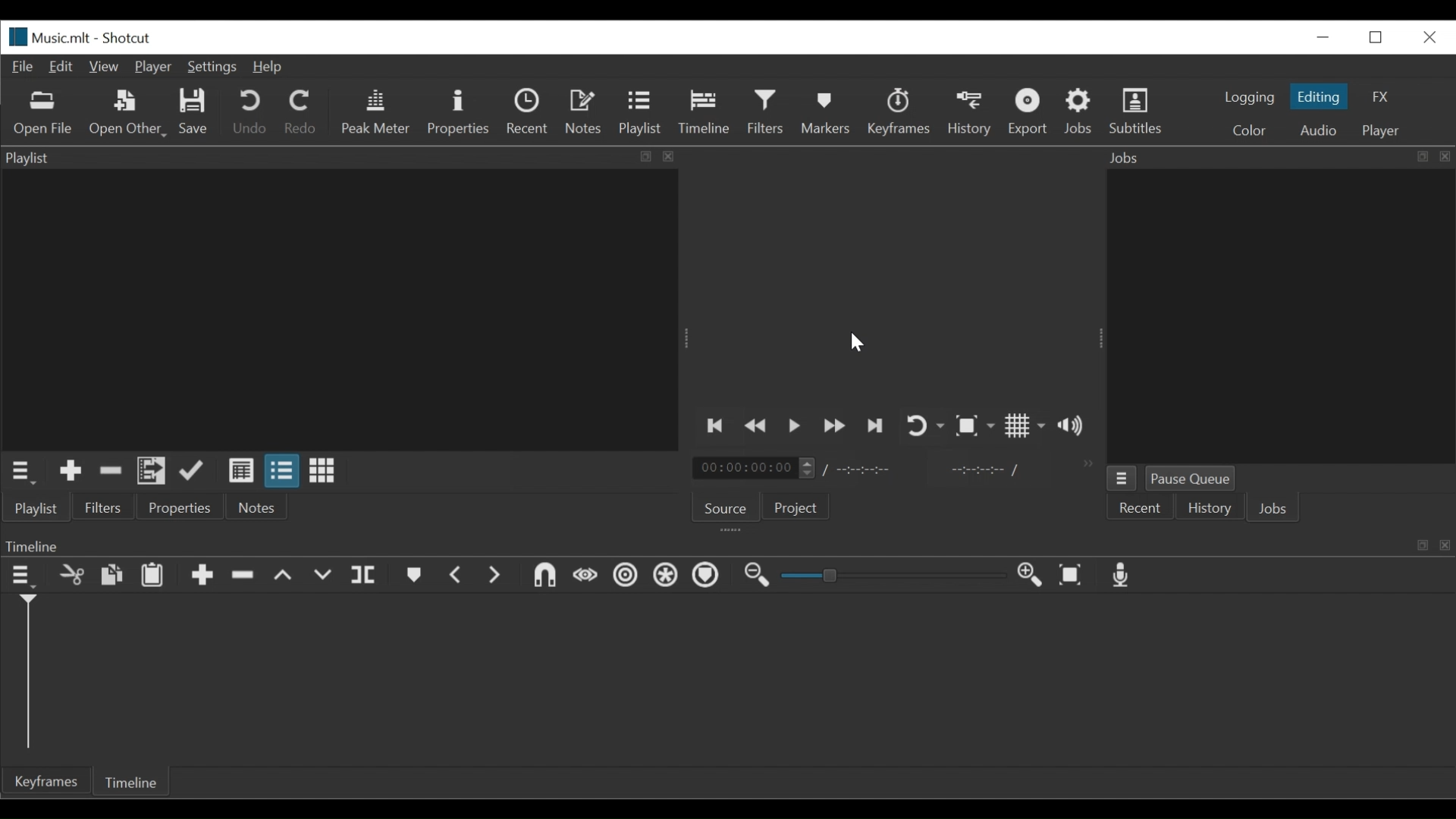 The height and width of the screenshot is (819, 1456). I want to click on Timeline, so click(726, 543).